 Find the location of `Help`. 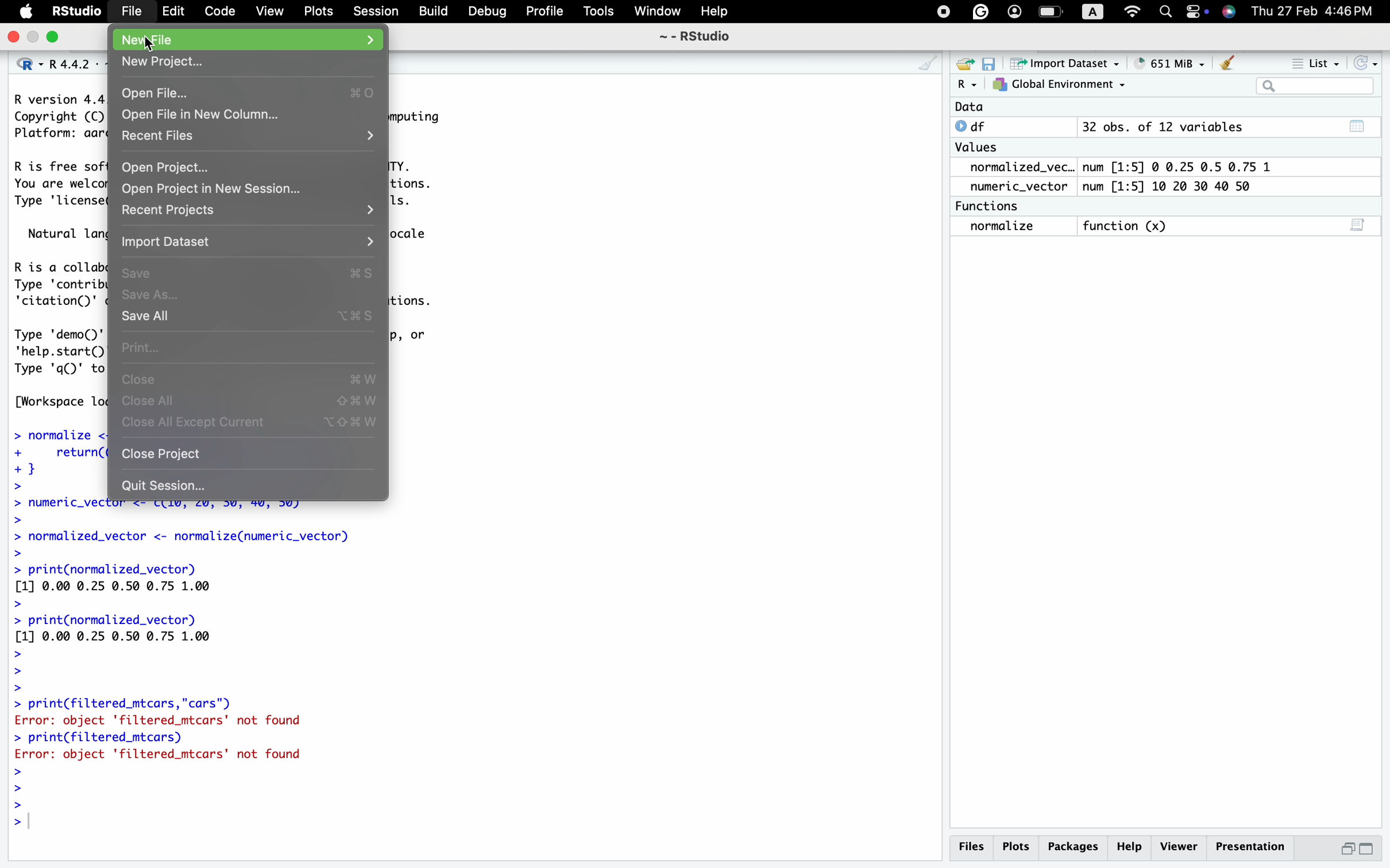

Help is located at coordinates (1131, 845).